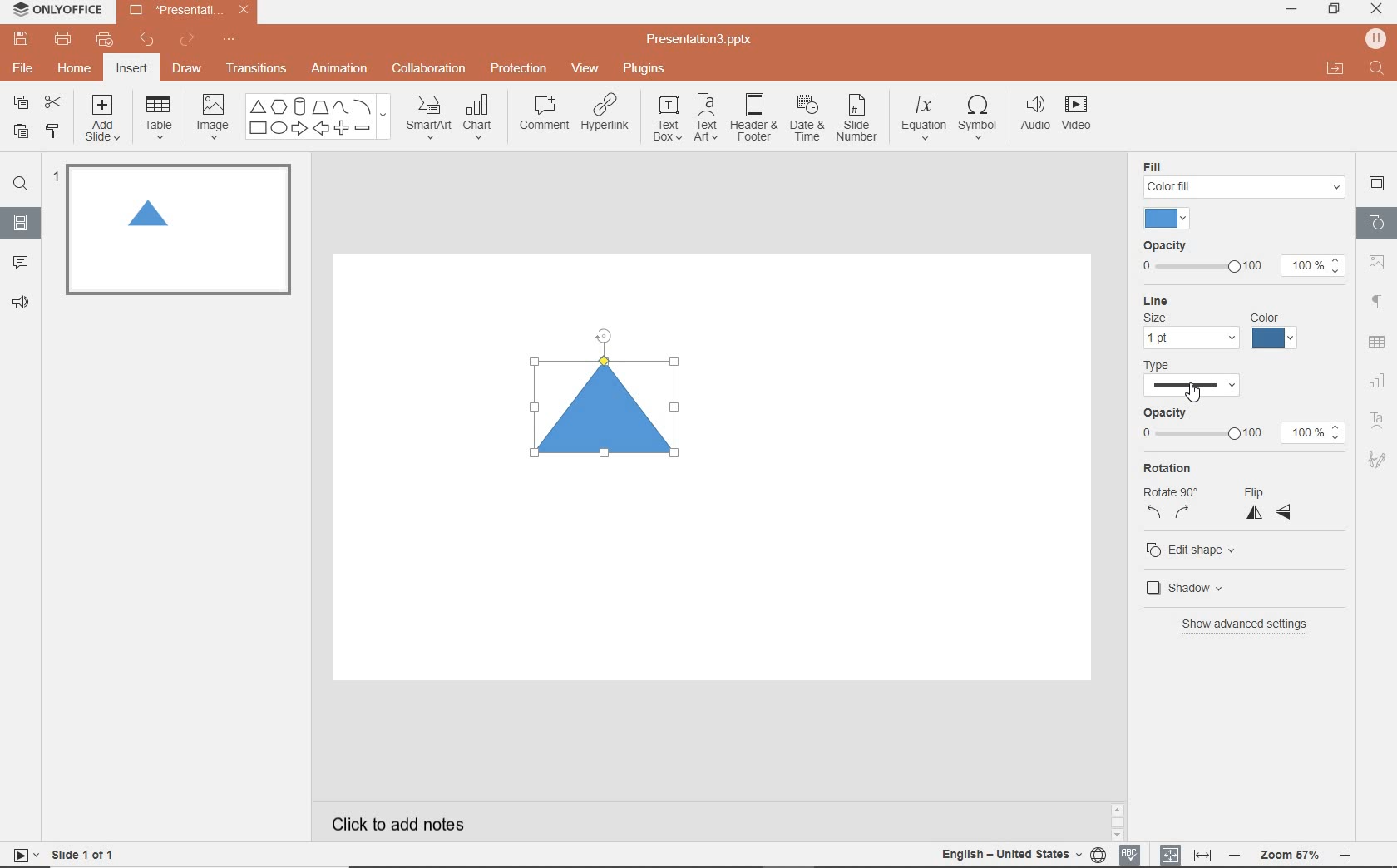  Describe the element at coordinates (23, 37) in the screenshot. I see `SAVE` at that location.